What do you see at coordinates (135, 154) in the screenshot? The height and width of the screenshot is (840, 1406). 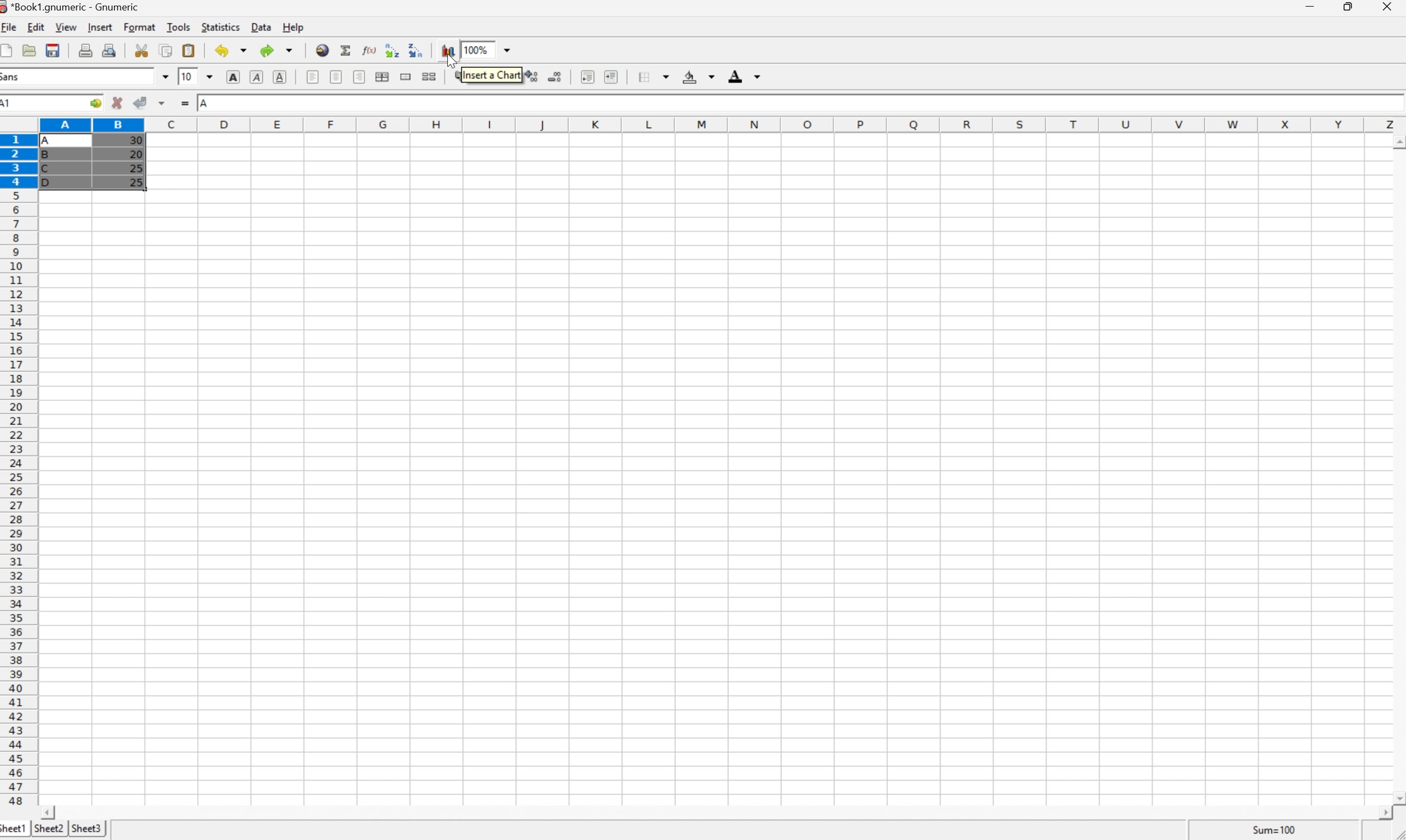 I see `20` at bounding box center [135, 154].